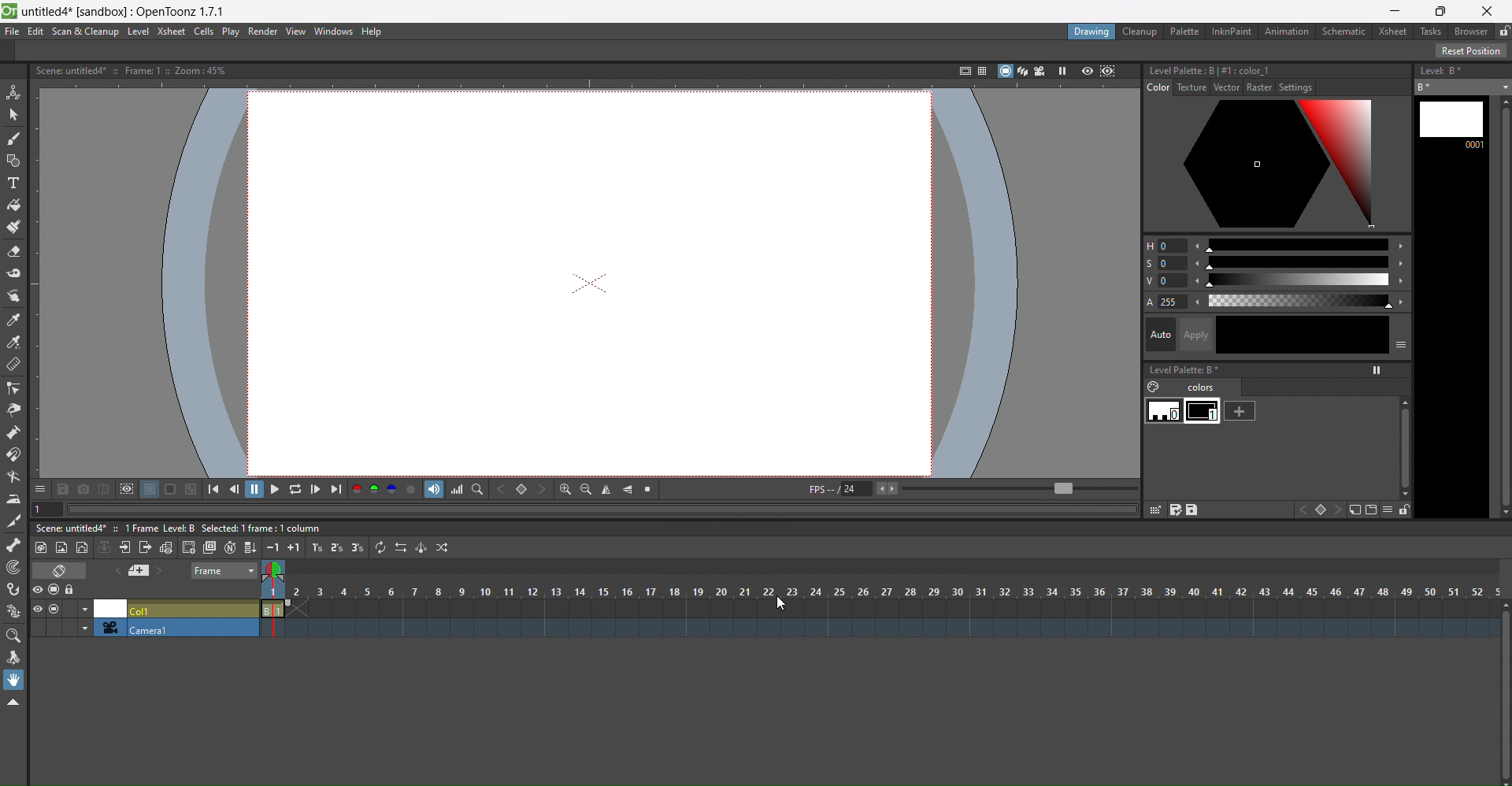 This screenshot has height=786, width=1512. I want to click on alpha chanel, so click(412, 488).